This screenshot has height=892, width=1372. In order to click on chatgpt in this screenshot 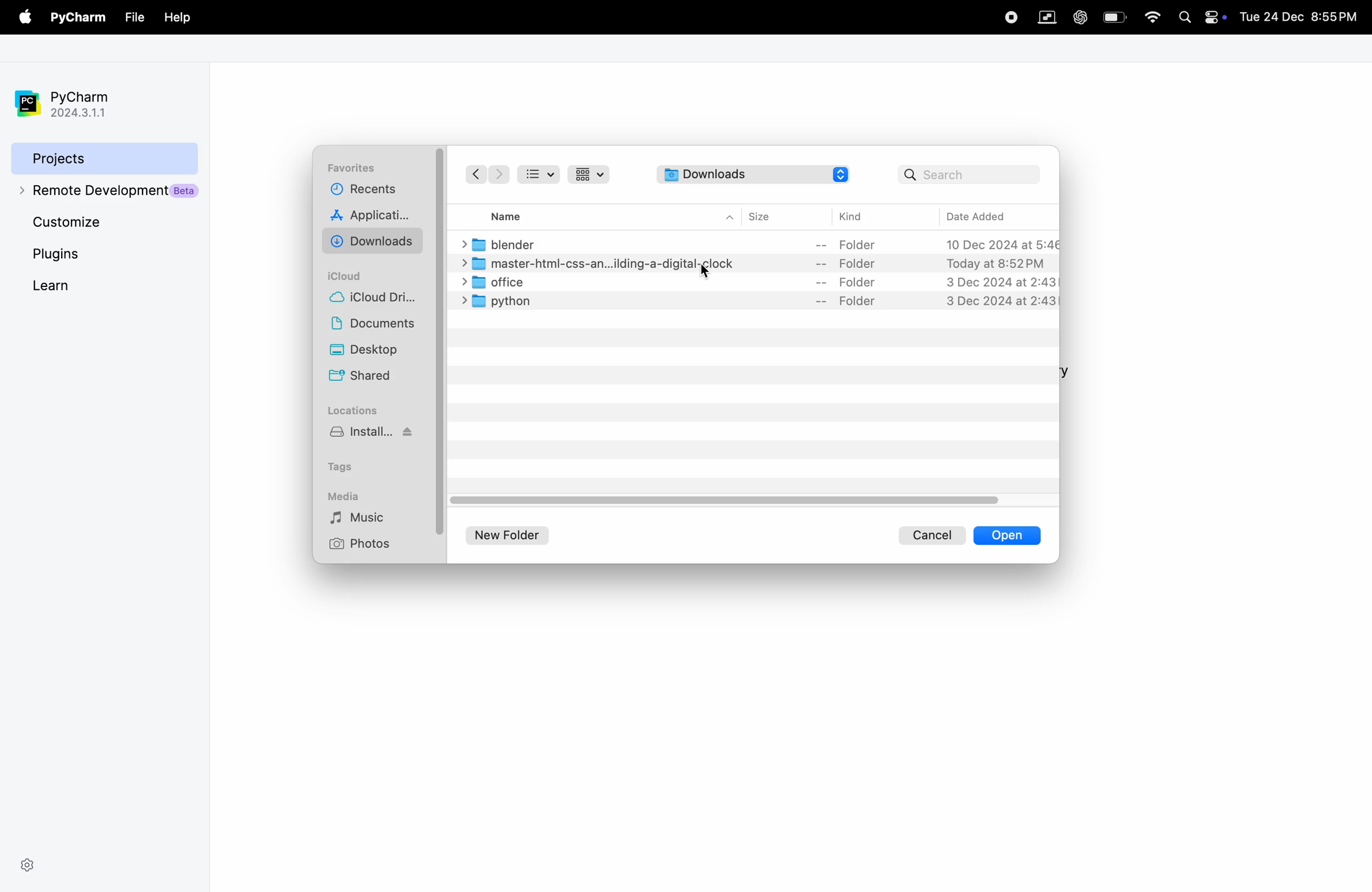, I will do `click(1079, 16)`.